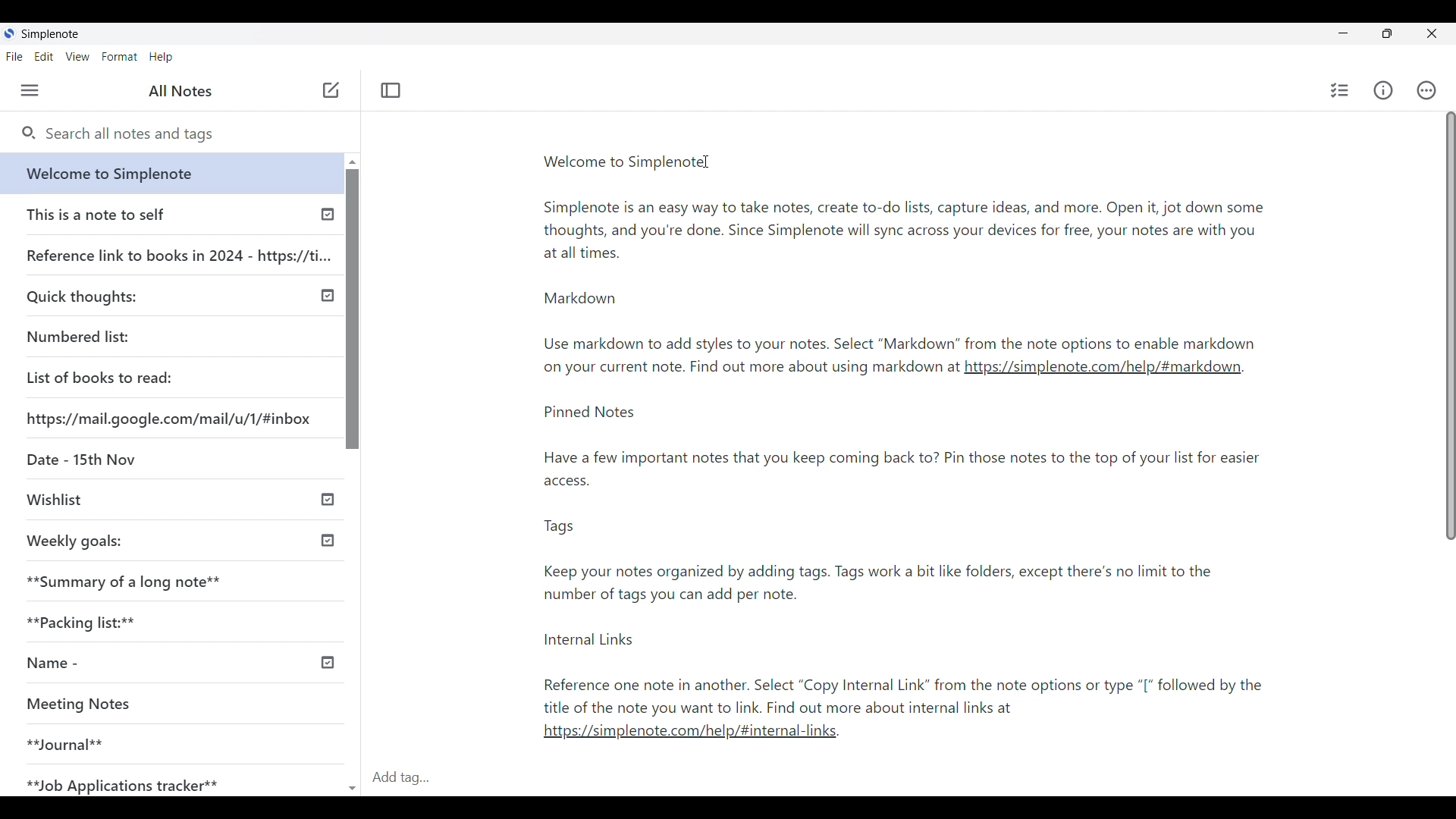  I want to click on Help menu, so click(161, 57).